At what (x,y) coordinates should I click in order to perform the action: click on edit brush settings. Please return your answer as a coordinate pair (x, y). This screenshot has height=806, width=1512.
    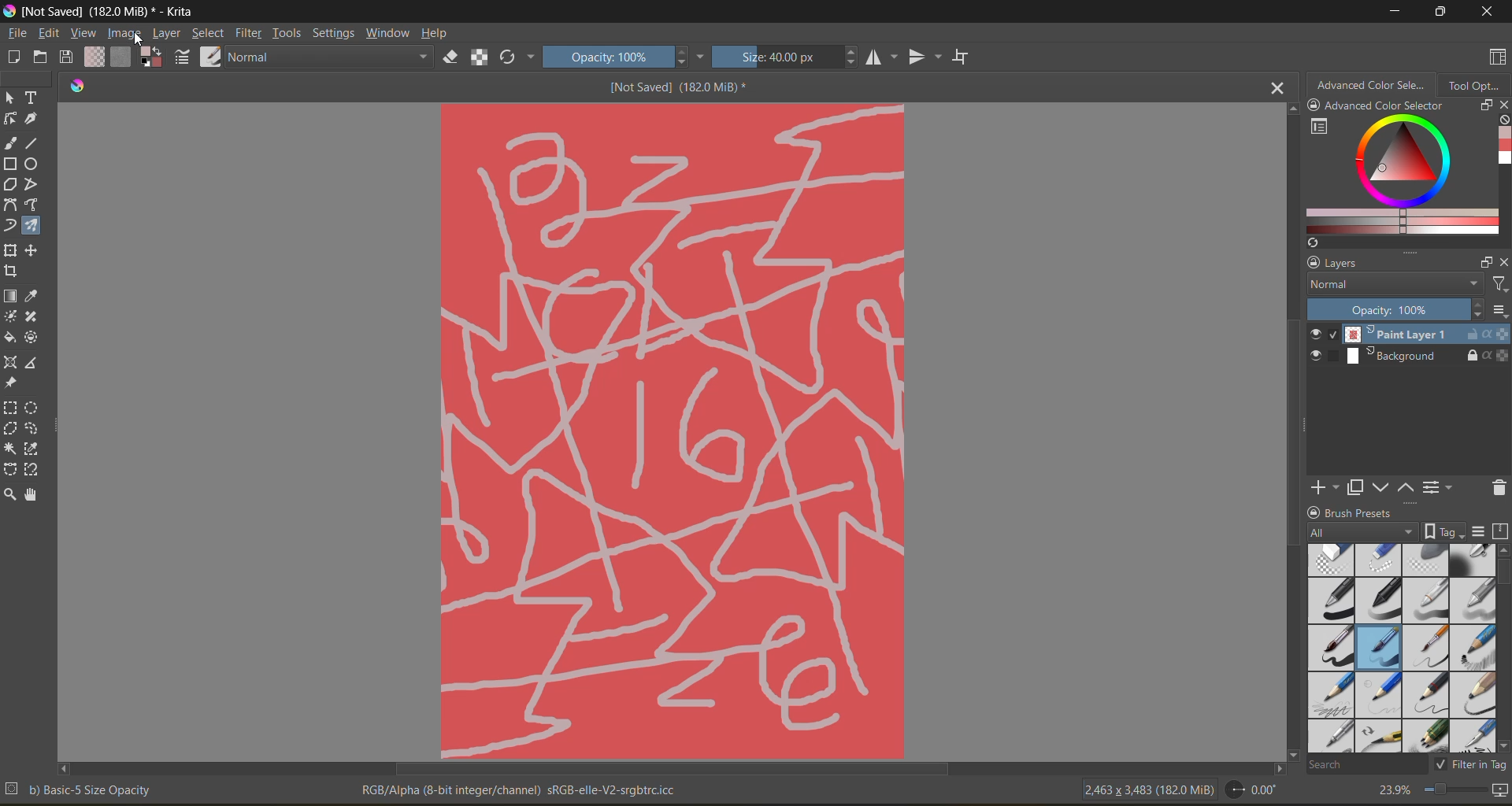
    Looking at the image, I should click on (182, 59).